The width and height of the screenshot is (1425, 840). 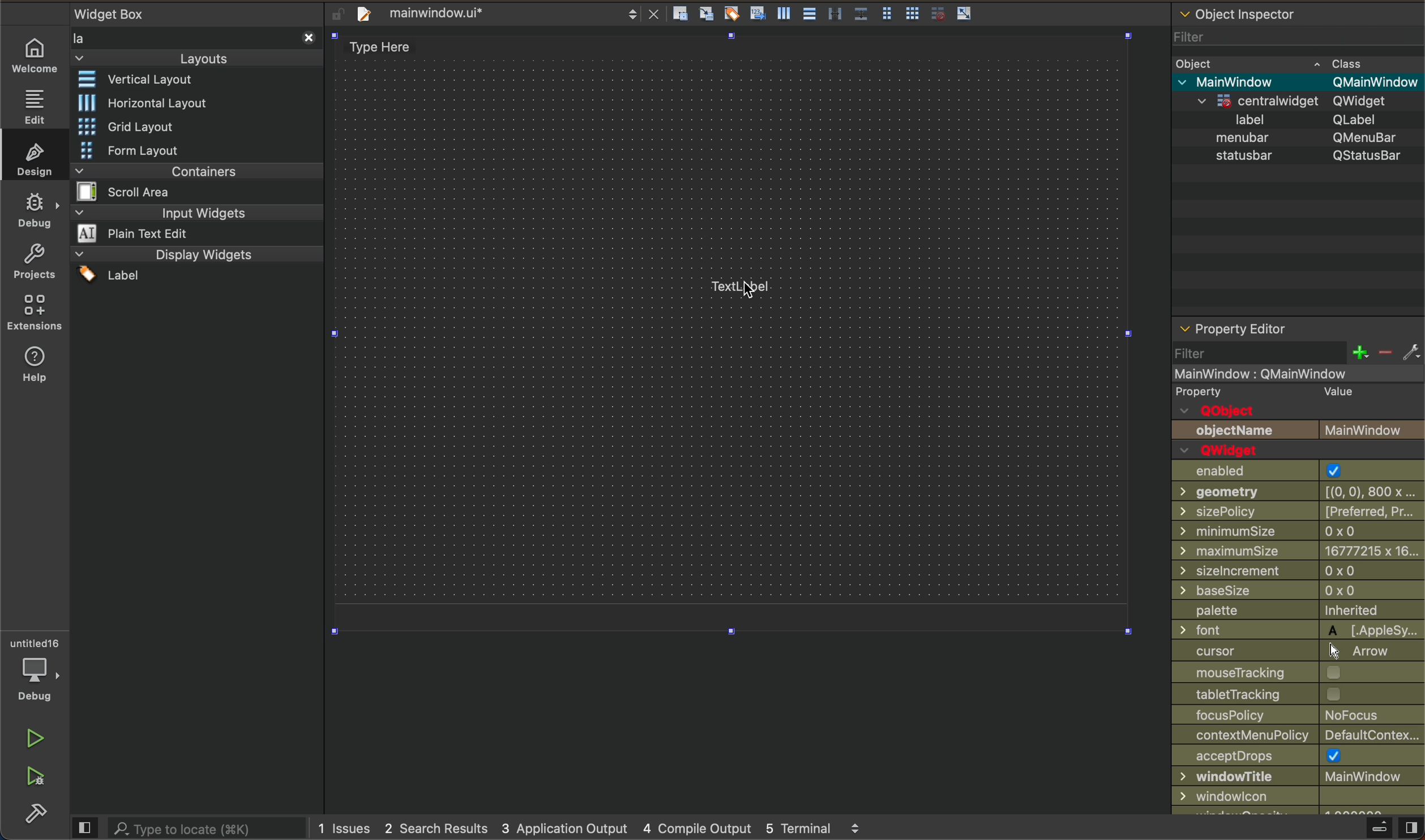 What do you see at coordinates (1295, 492) in the screenshot?
I see `geometry` at bounding box center [1295, 492].